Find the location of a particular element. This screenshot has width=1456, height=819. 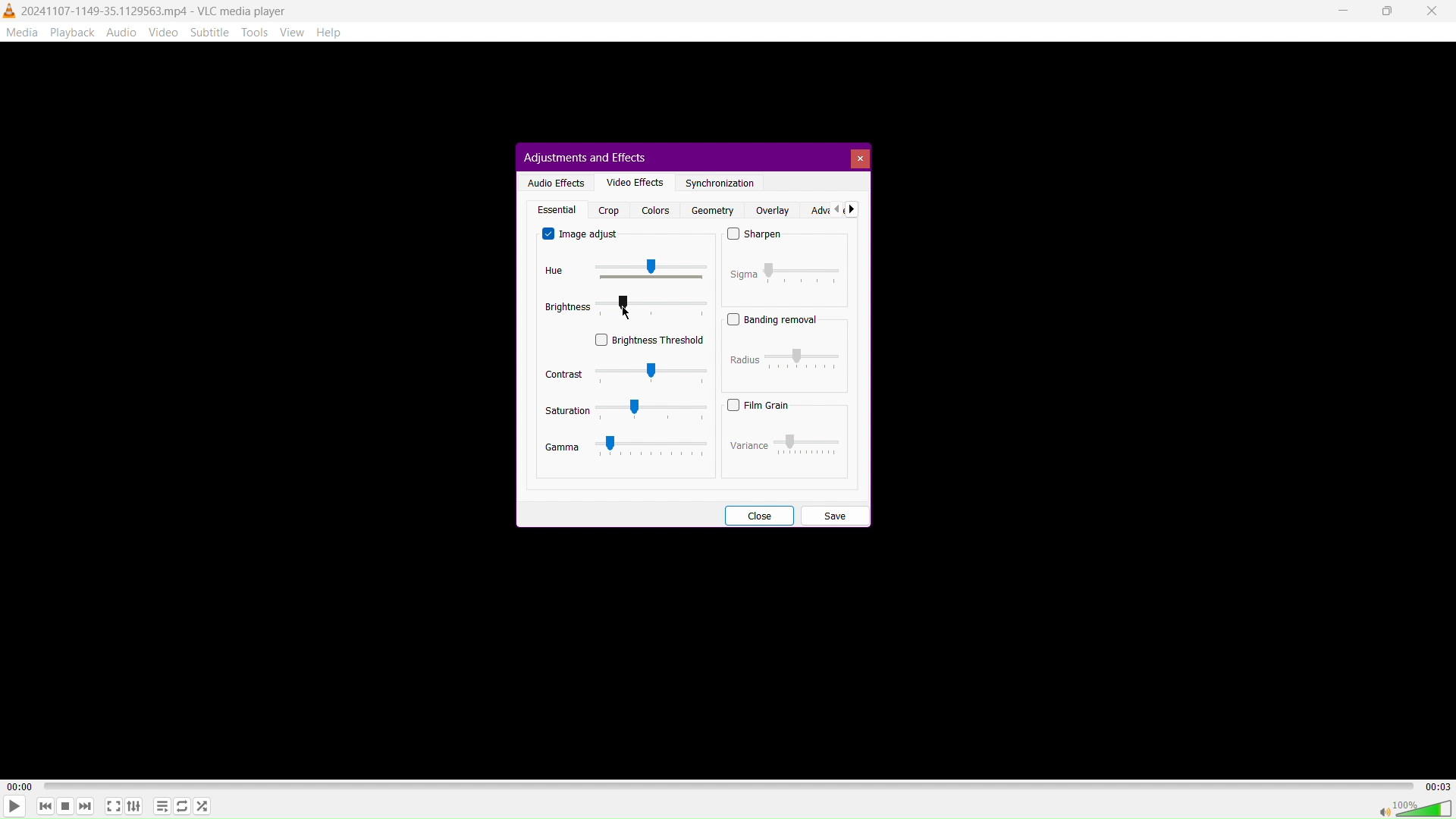

Stop is located at coordinates (64, 808).